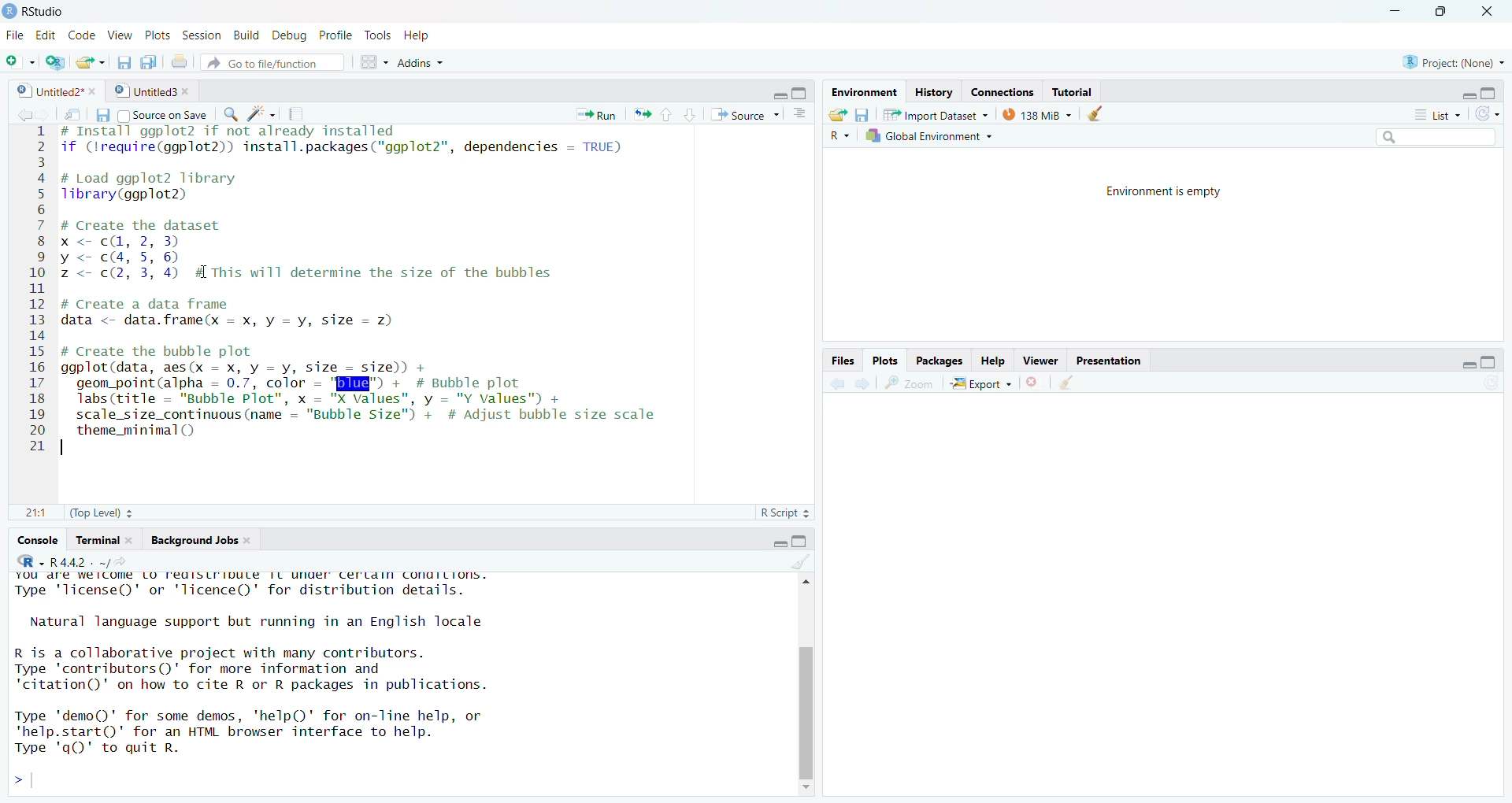 The image size is (1512, 803). Describe the element at coordinates (1462, 360) in the screenshot. I see `maximize/minimize` at that location.